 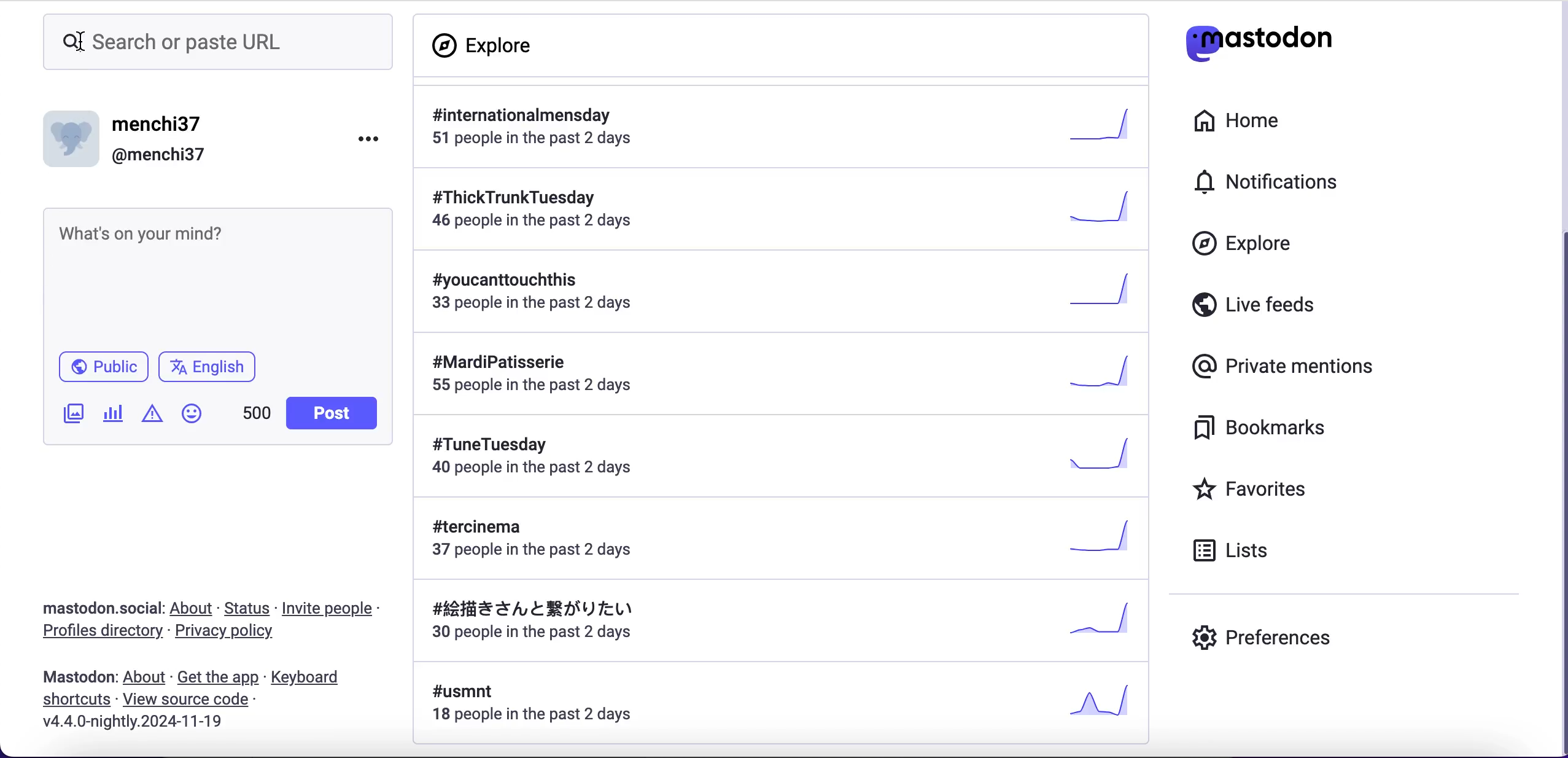 What do you see at coordinates (1262, 428) in the screenshot?
I see `bookmarks` at bounding box center [1262, 428].